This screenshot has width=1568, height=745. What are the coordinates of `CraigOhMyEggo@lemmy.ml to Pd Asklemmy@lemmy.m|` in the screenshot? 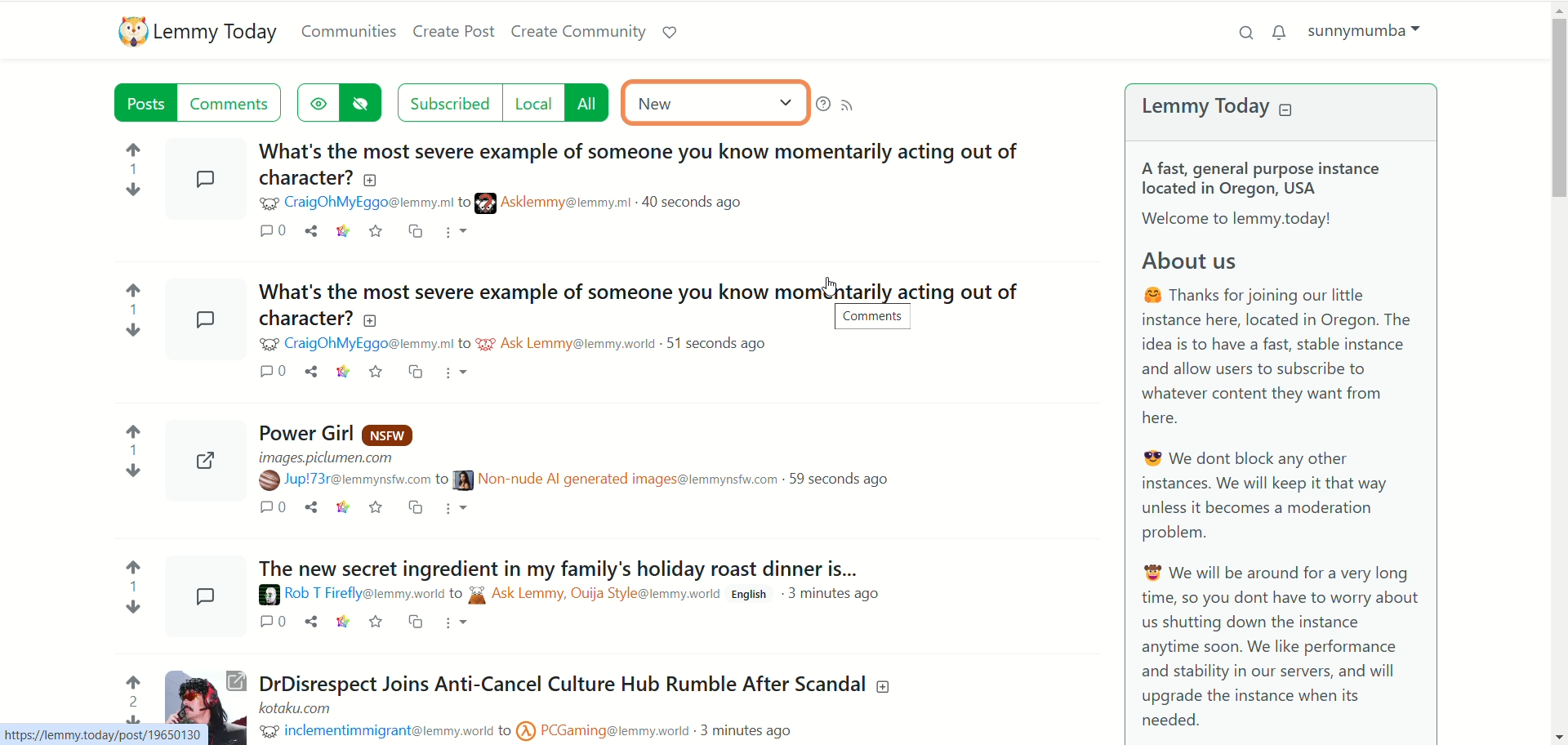 It's located at (449, 203).